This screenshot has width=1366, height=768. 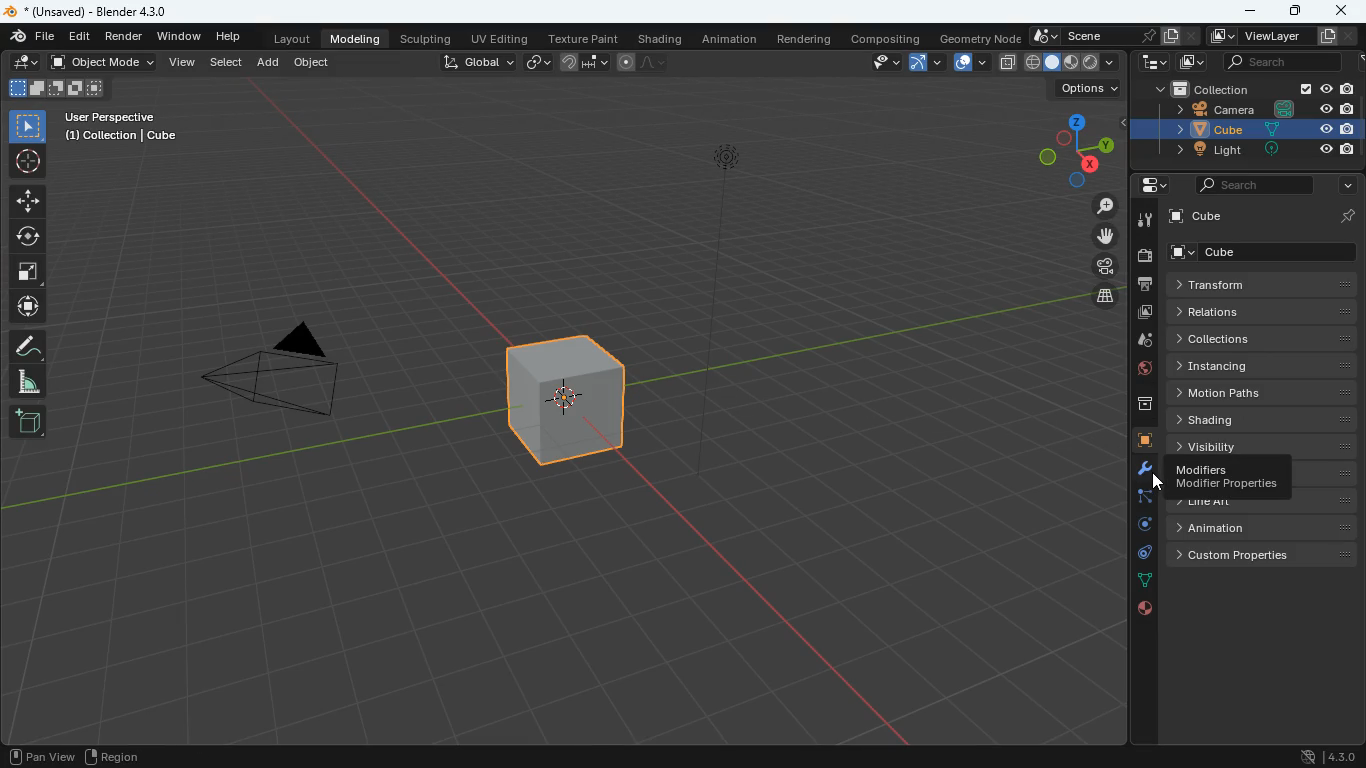 I want to click on angle, so click(x=36, y=382).